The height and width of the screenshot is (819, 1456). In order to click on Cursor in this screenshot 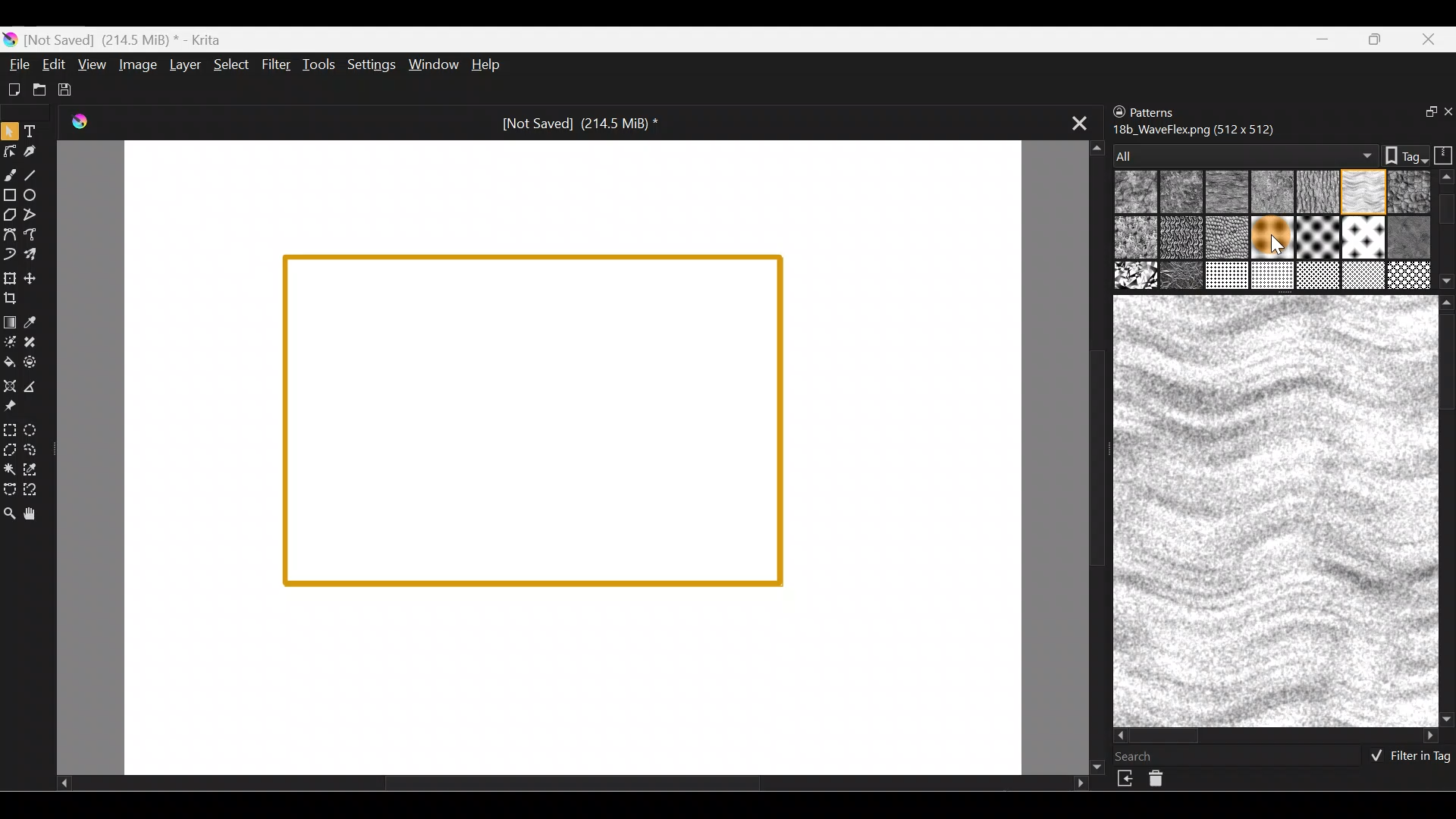, I will do `click(1268, 241)`.